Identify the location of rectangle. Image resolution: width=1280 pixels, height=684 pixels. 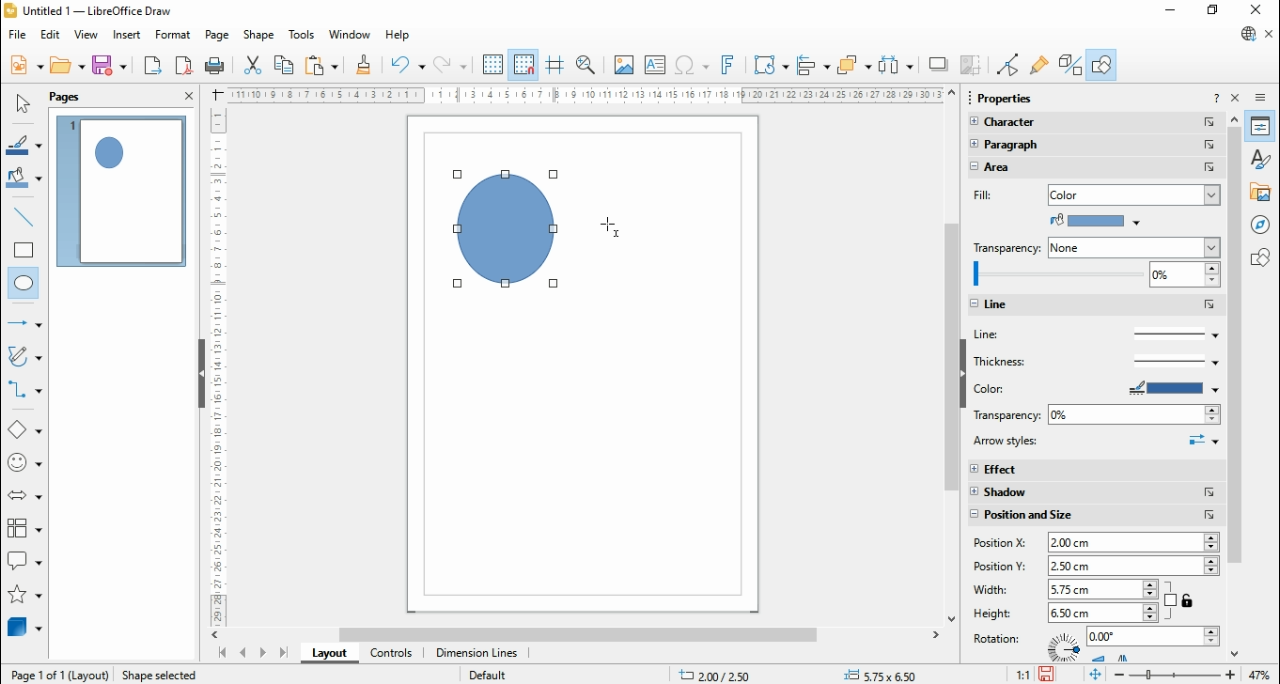
(24, 249).